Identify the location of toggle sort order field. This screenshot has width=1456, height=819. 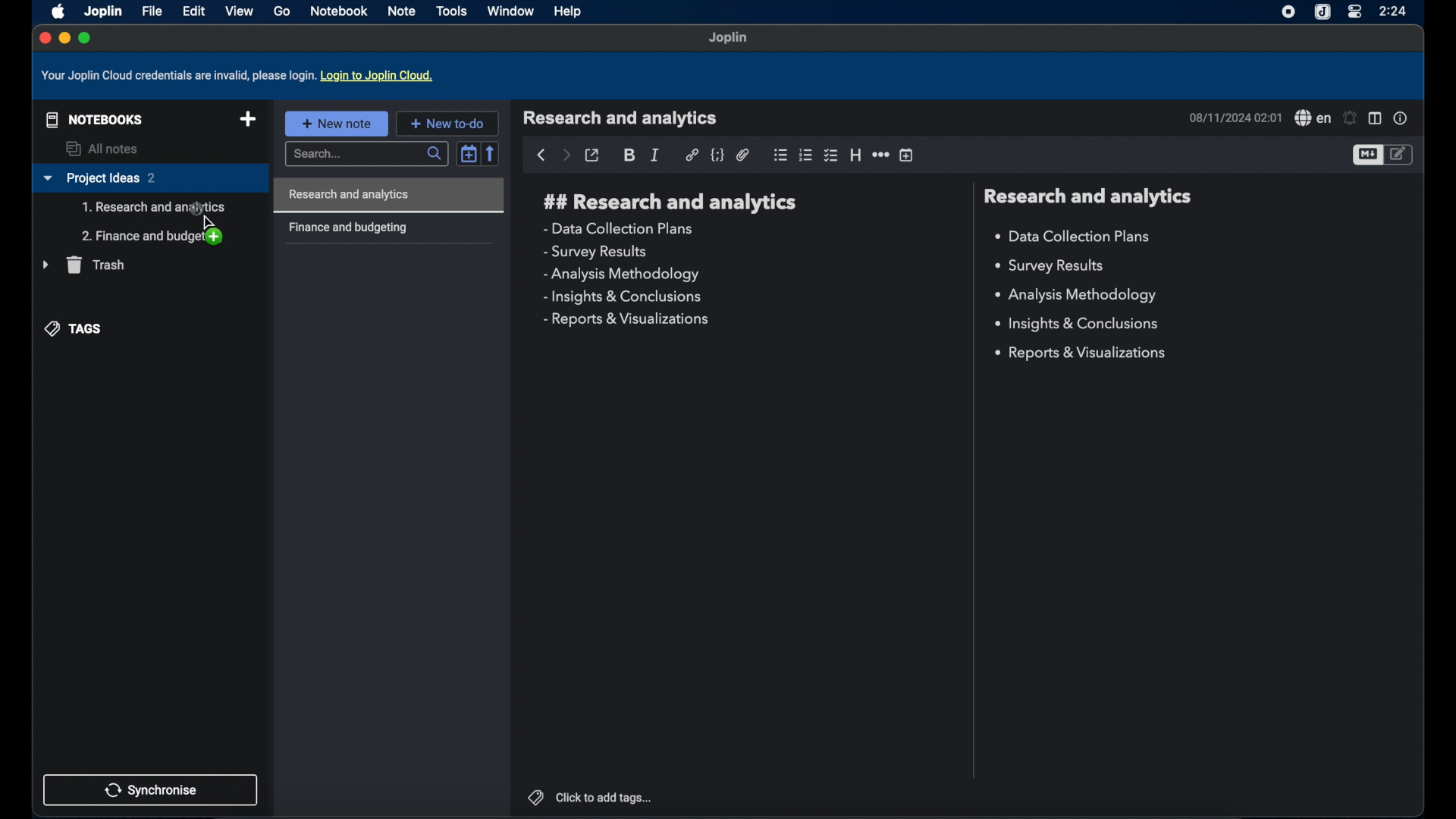
(469, 152).